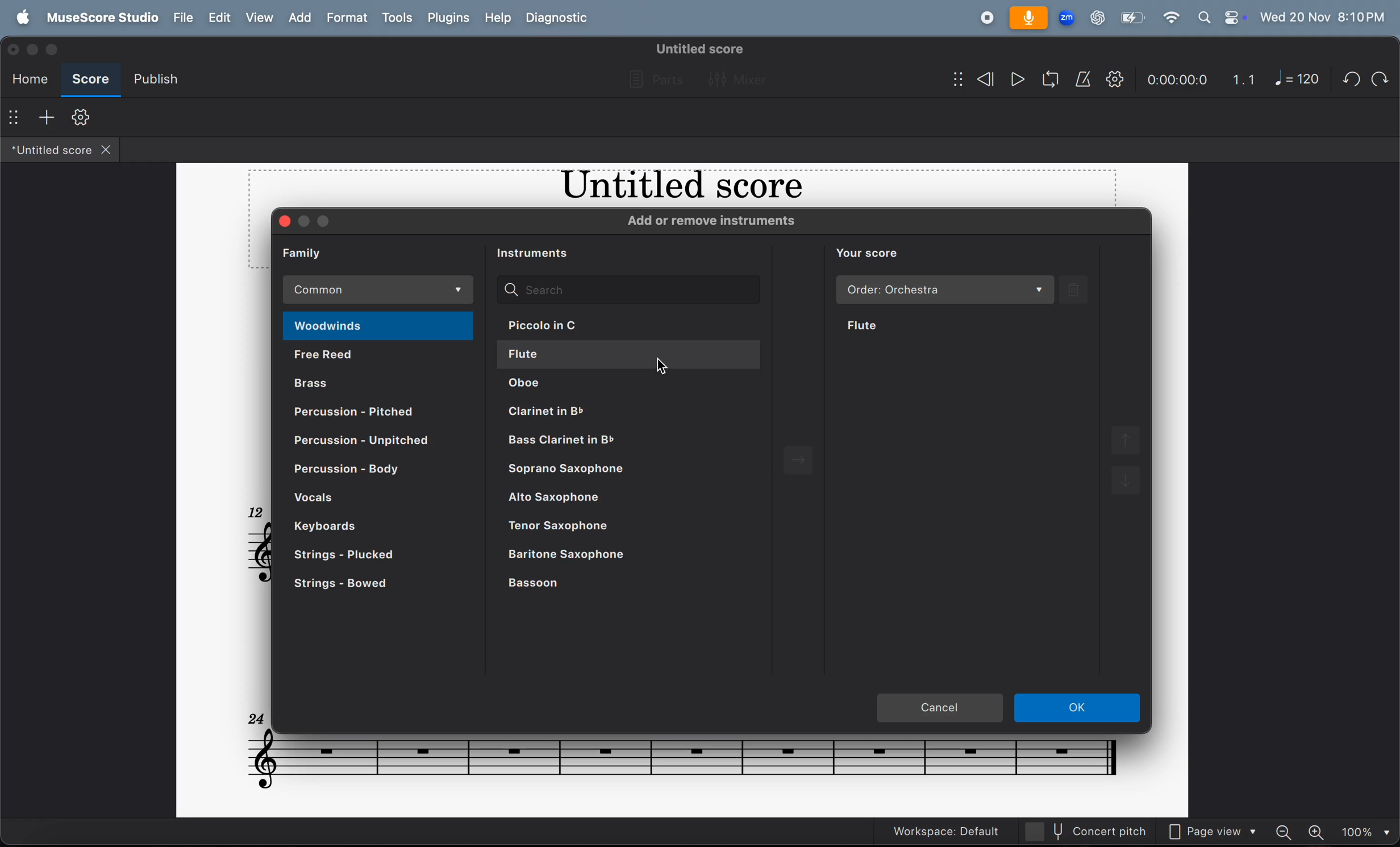 The image size is (1400, 847). What do you see at coordinates (398, 18) in the screenshot?
I see `tools` at bounding box center [398, 18].